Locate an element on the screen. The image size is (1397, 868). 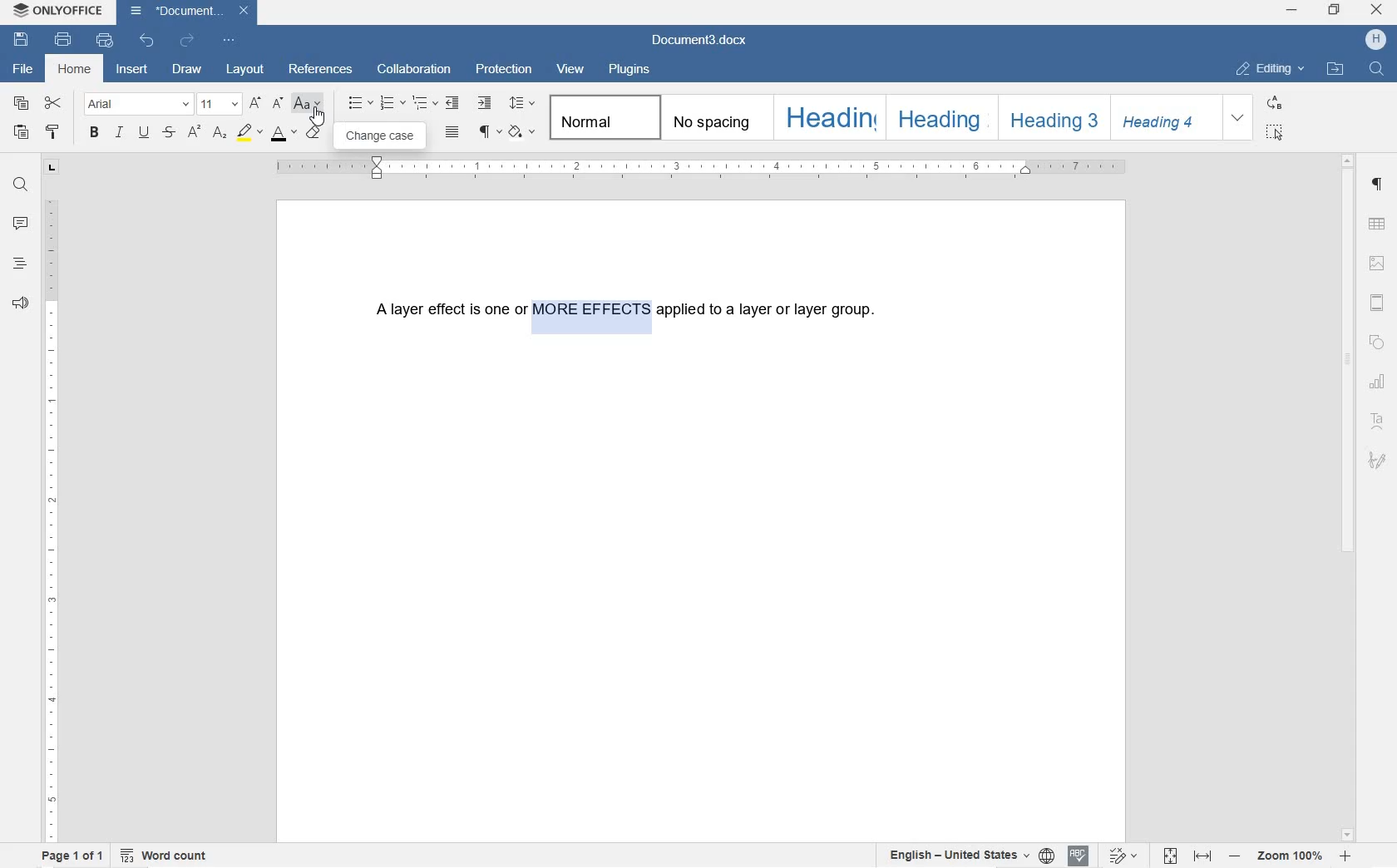
document3.docx is located at coordinates (187, 11).